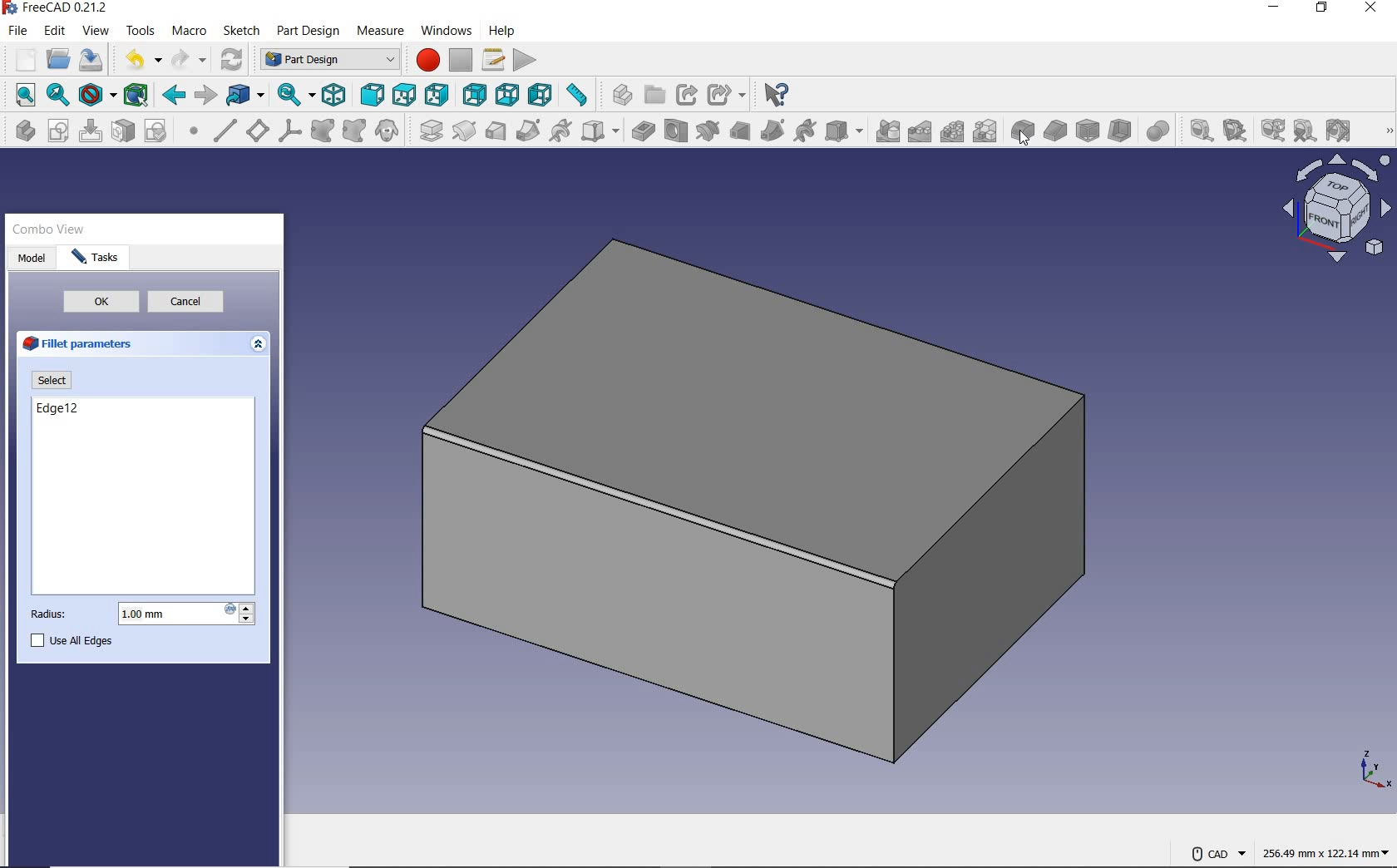  Describe the element at coordinates (334, 95) in the screenshot. I see `isometric` at that location.